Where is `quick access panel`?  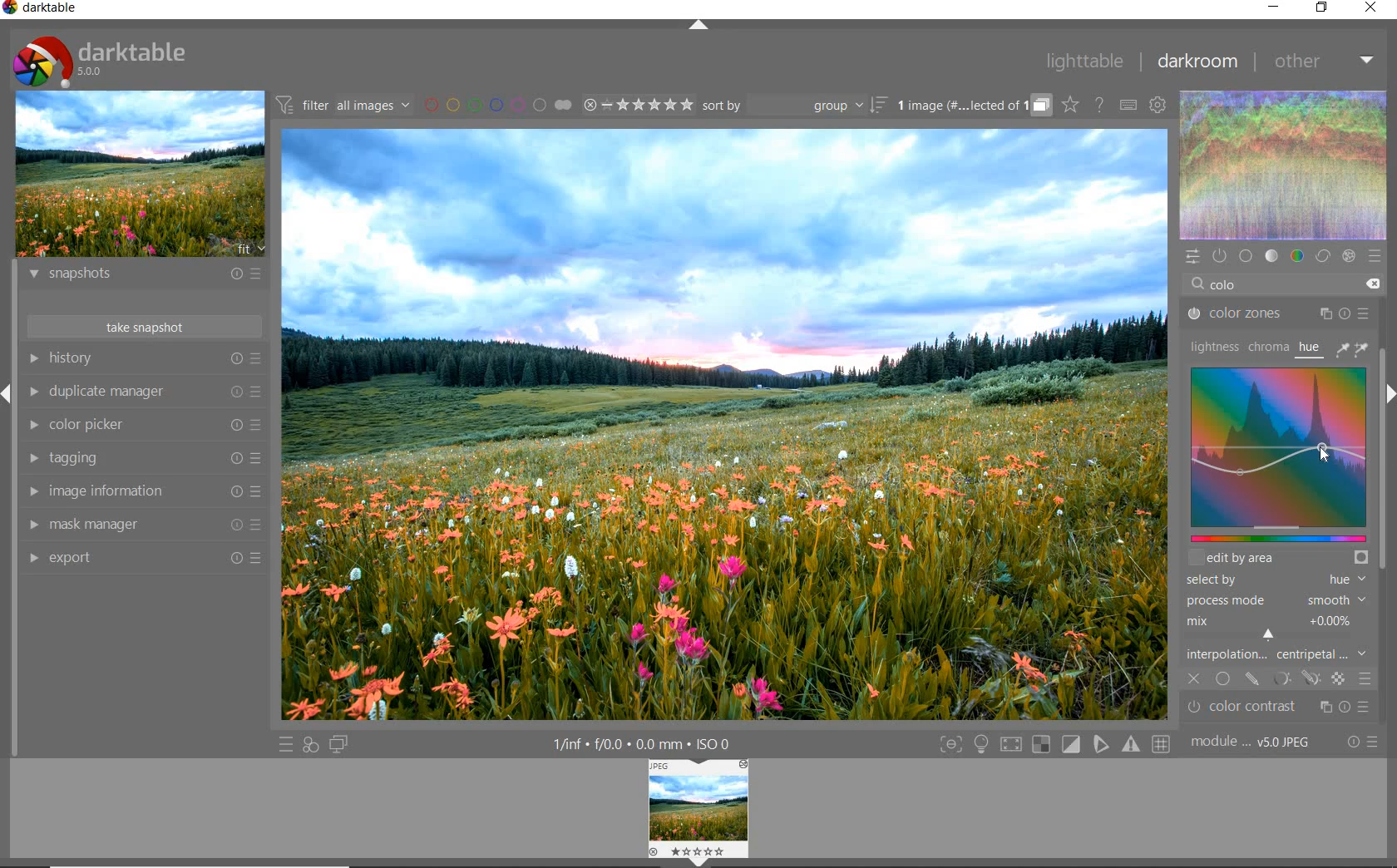 quick access panel is located at coordinates (1194, 257).